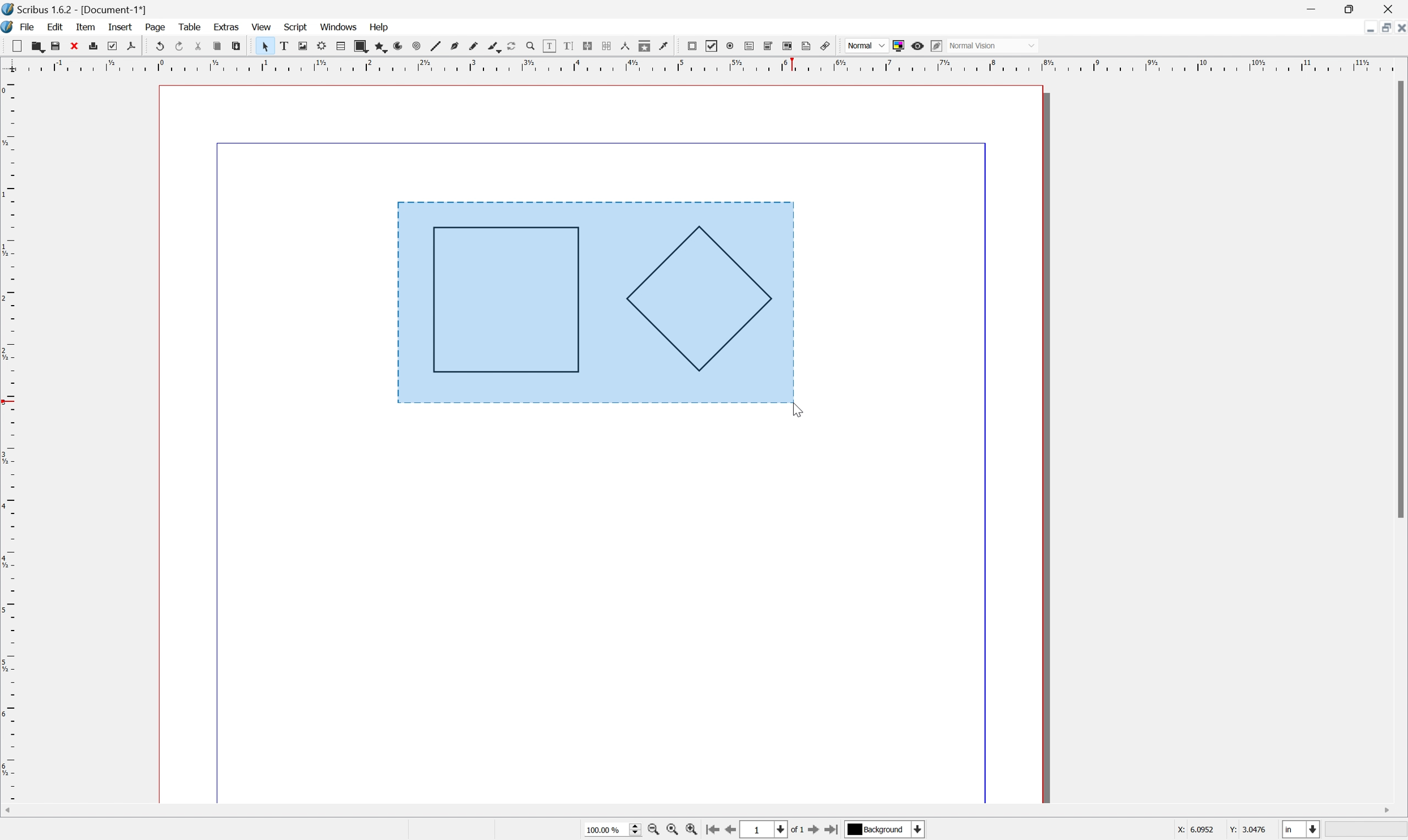 The image size is (1408, 840). I want to click on cut, so click(196, 46).